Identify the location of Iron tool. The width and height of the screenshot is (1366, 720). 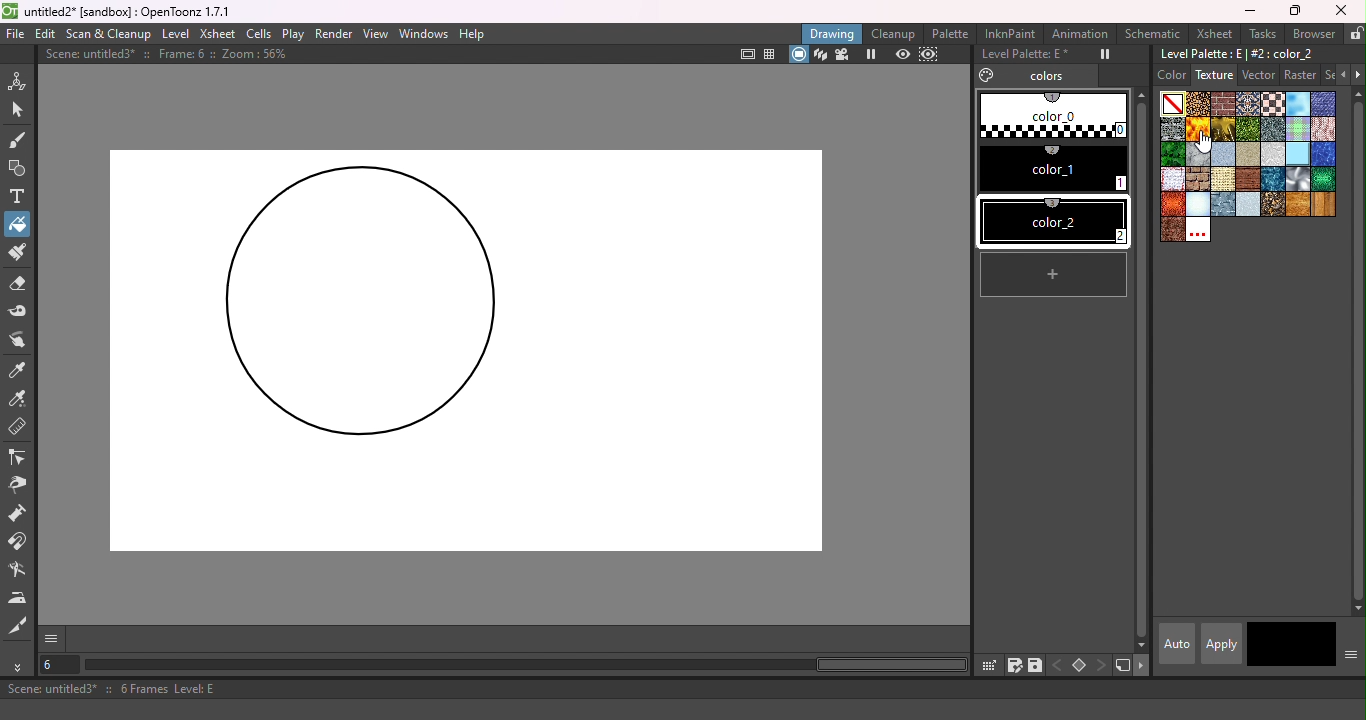
(20, 598).